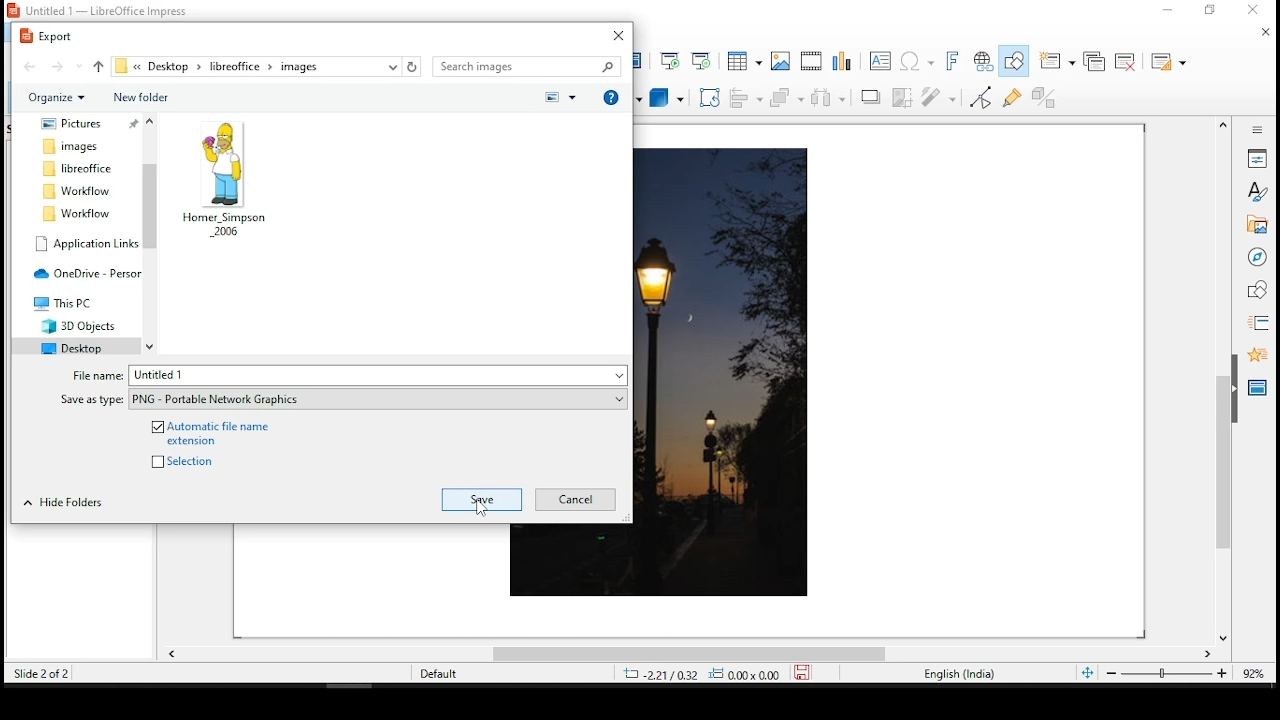  I want to click on file name, so click(378, 375).